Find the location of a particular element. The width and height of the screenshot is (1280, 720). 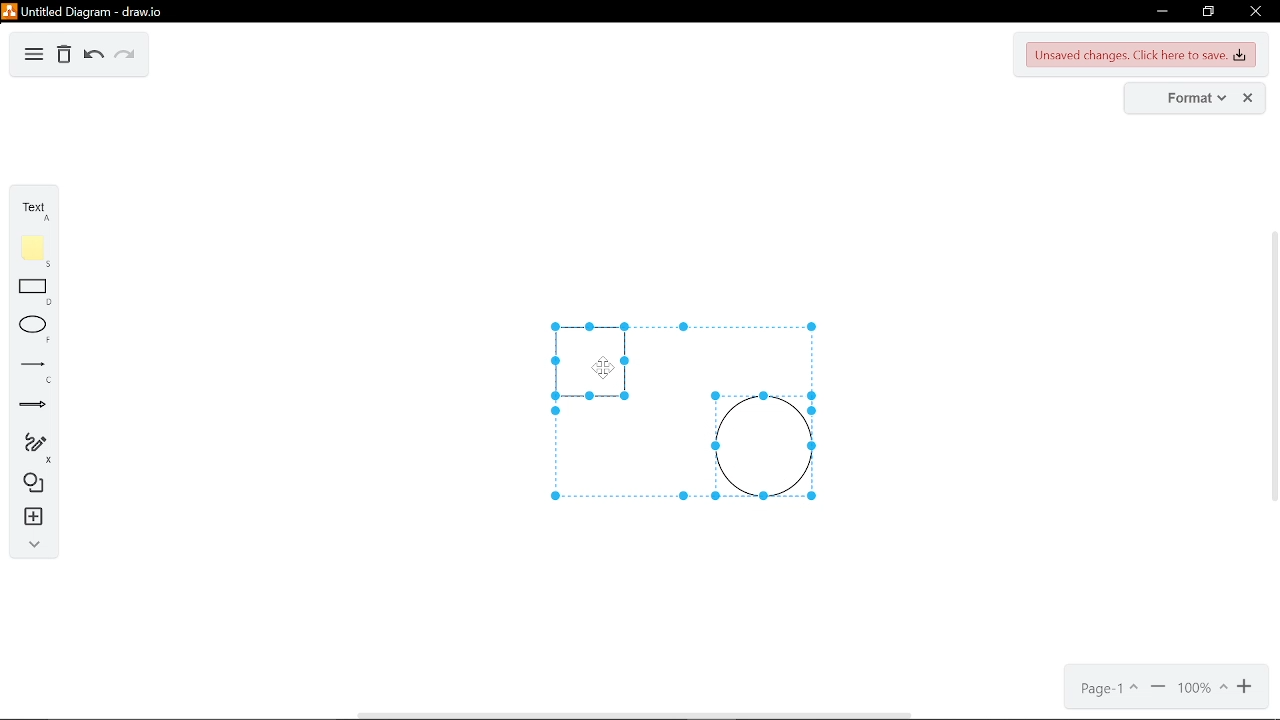

ellipse is located at coordinates (30, 331).